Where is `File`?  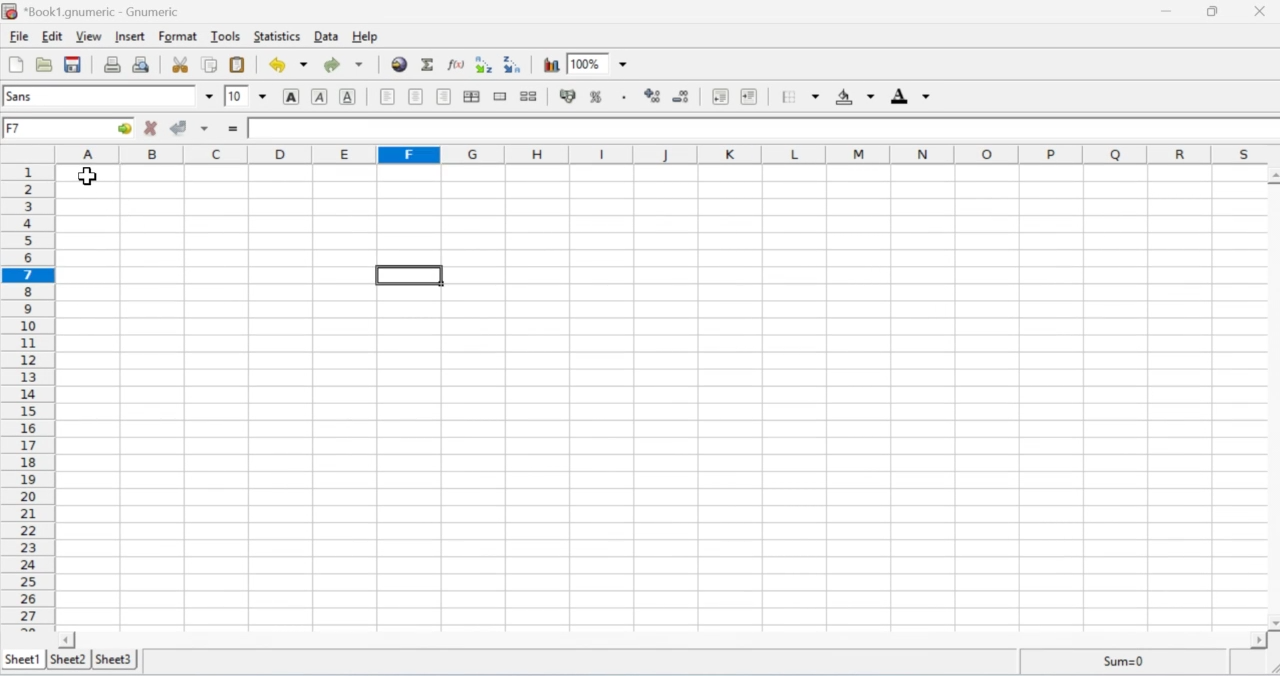
File is located at coordinates (19, 36).